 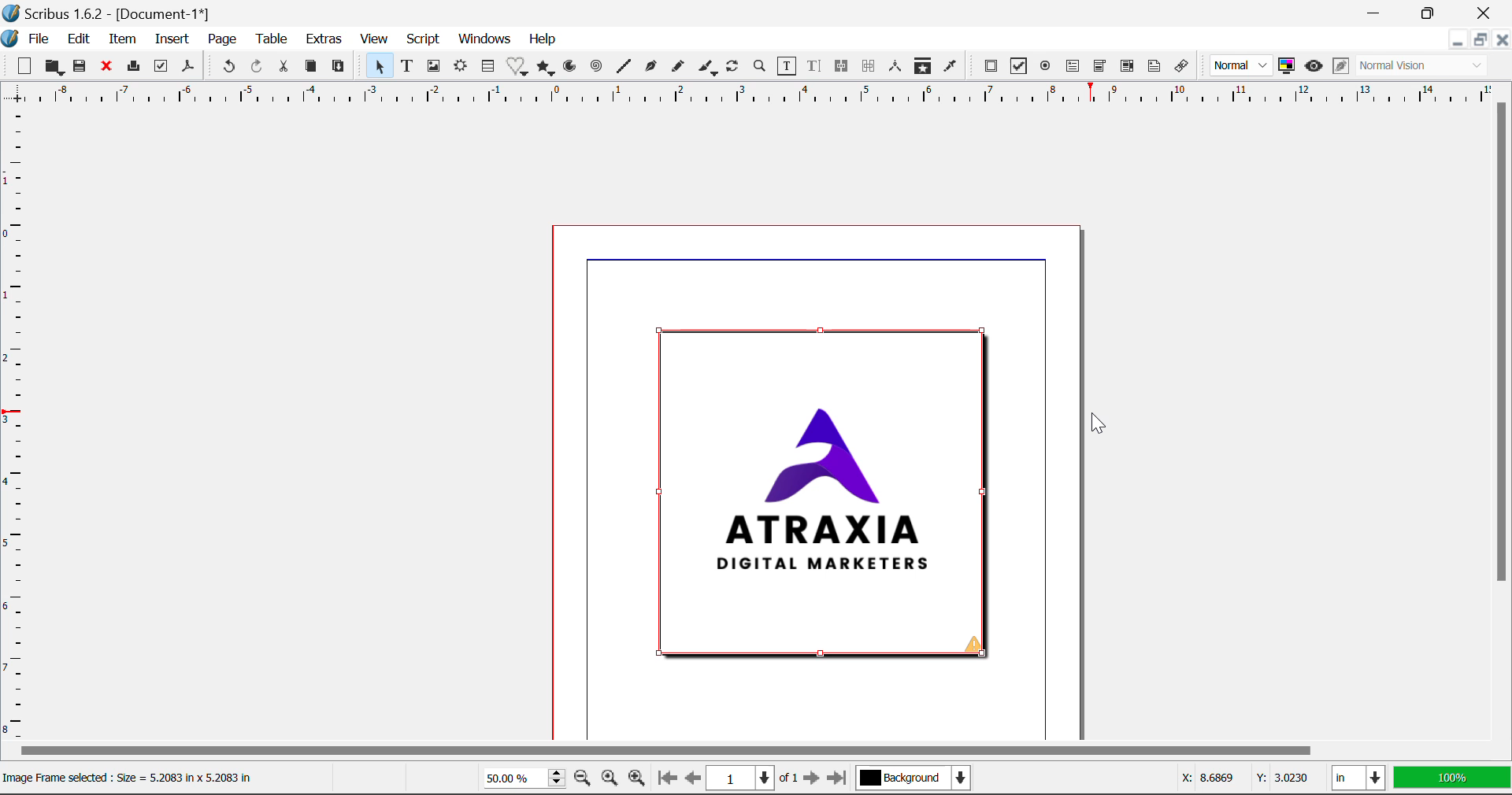 I want to click on Select, so click(x=381, y=68).